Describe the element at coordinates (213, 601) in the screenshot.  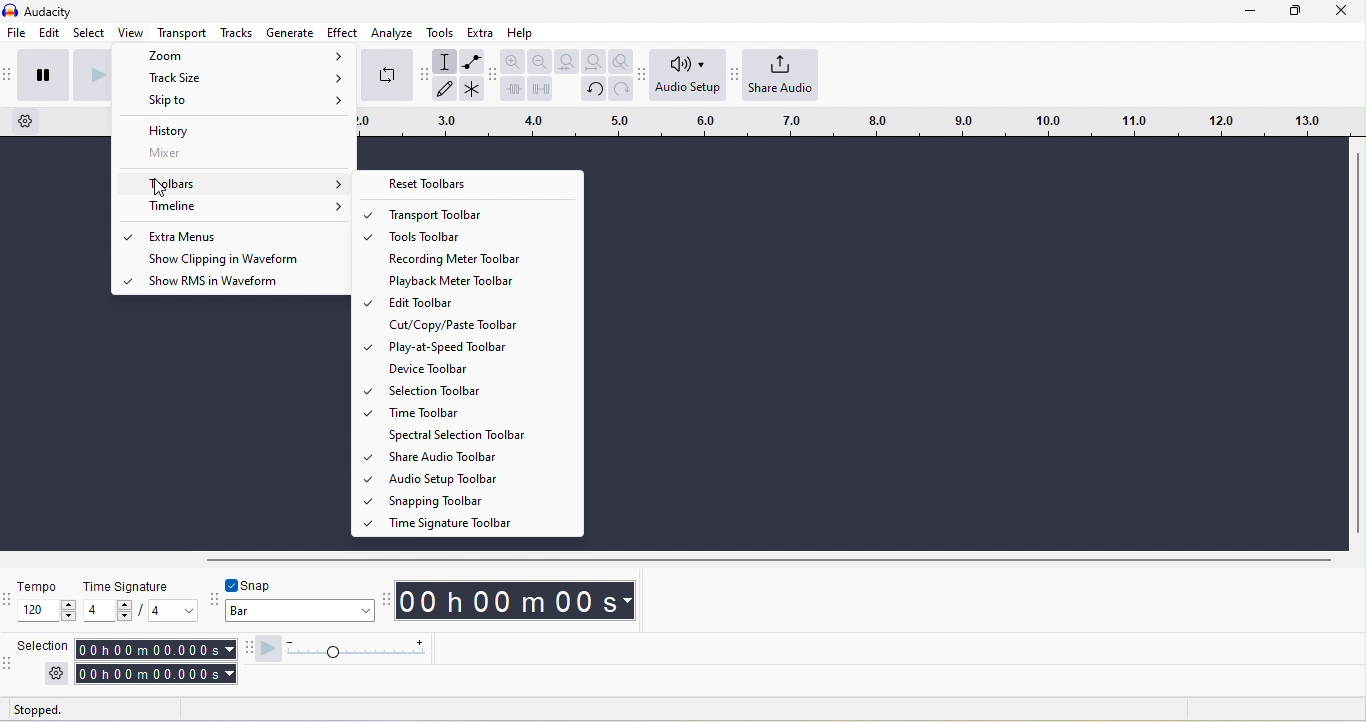
I see `snapping toolbar` at that location.